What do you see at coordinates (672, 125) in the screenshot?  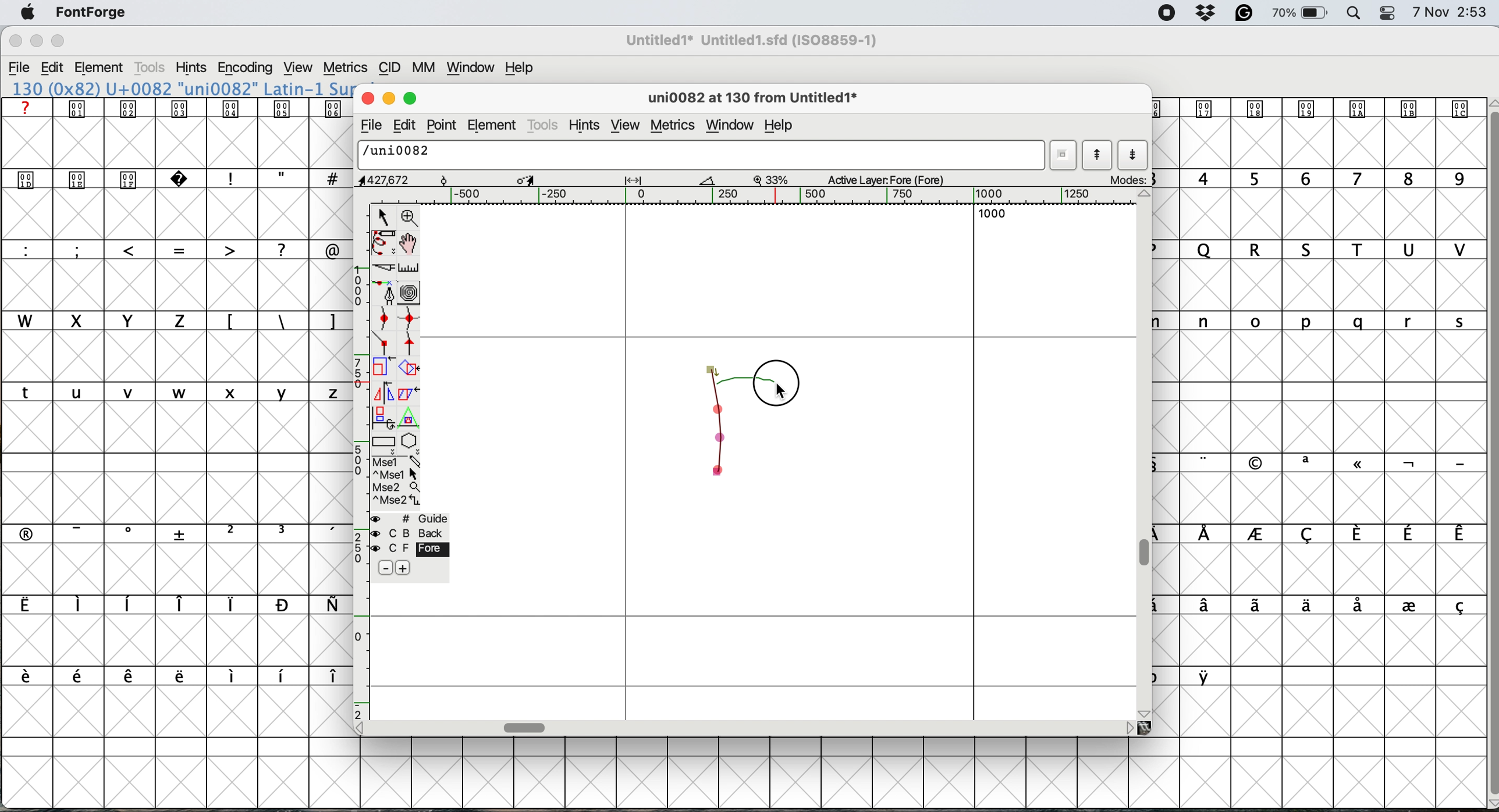 I see `metrics` at bounding box center [672, 125].